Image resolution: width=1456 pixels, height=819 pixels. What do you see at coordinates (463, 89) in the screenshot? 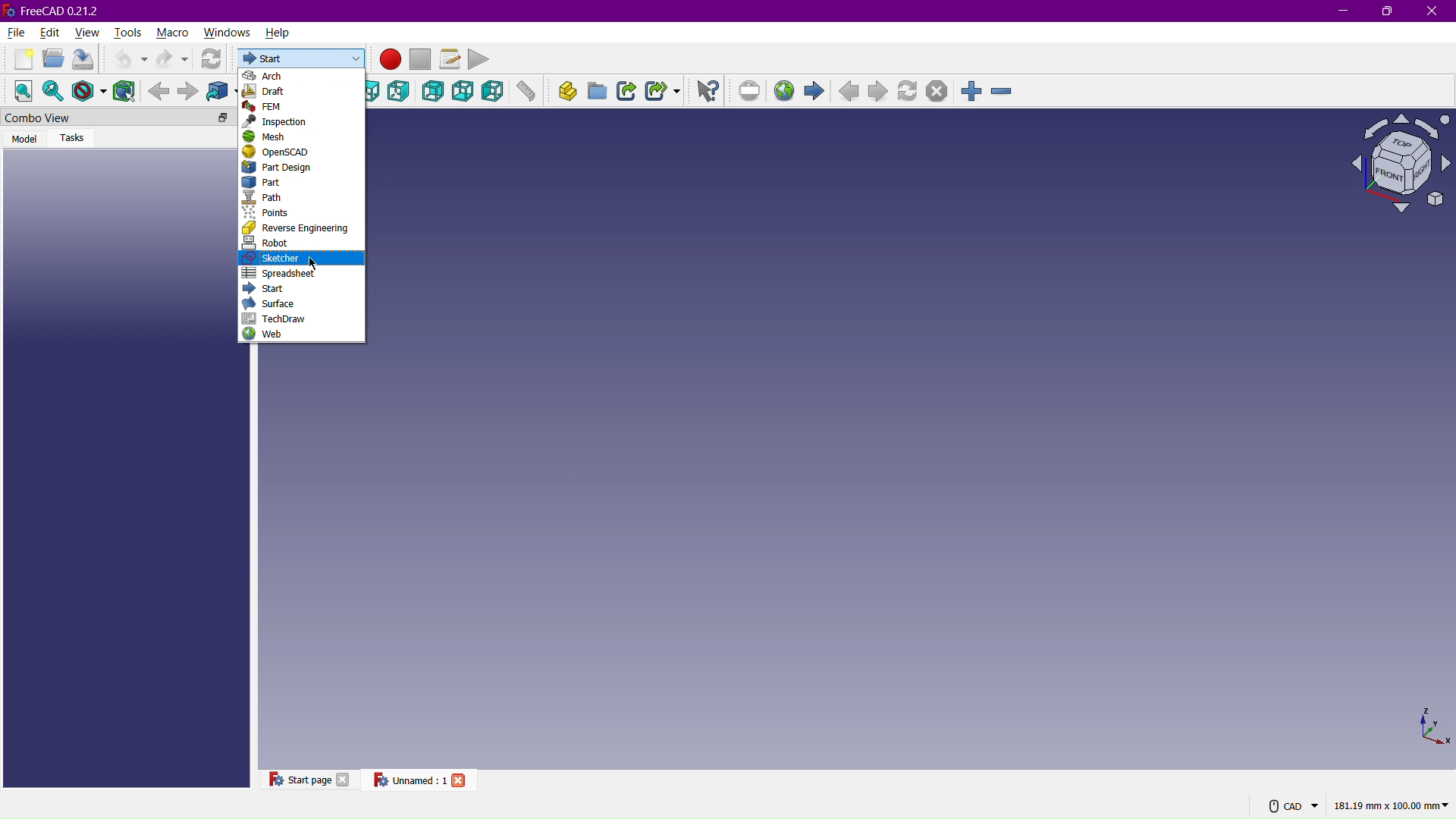
I see `Bottom` at bounding box center [463, 89].